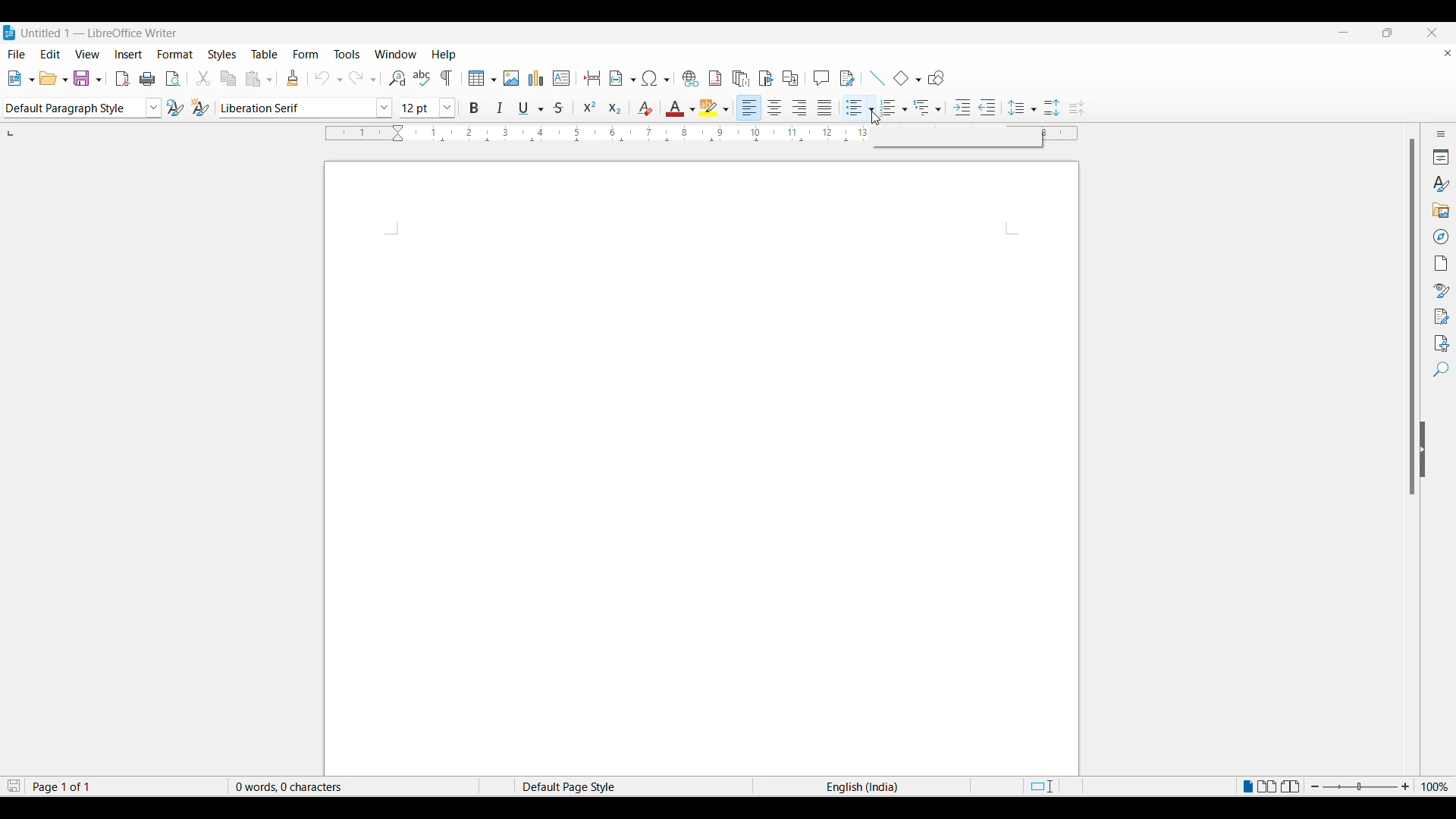  Describe the element at coordinates (49, 52) in the screenshot. I see `Edit` at that location.